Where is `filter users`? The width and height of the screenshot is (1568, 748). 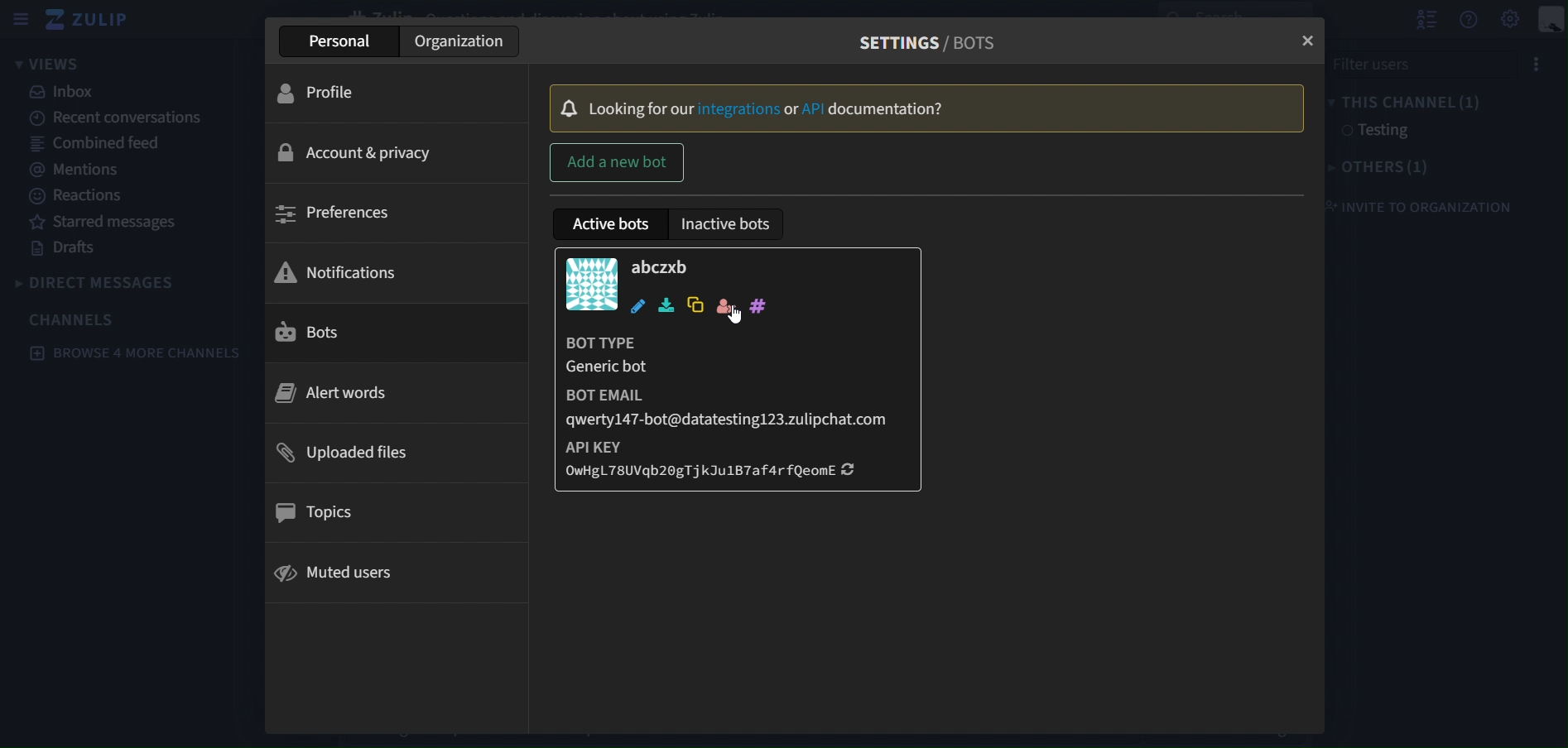
filter users is located at coordinates (1440, 63).